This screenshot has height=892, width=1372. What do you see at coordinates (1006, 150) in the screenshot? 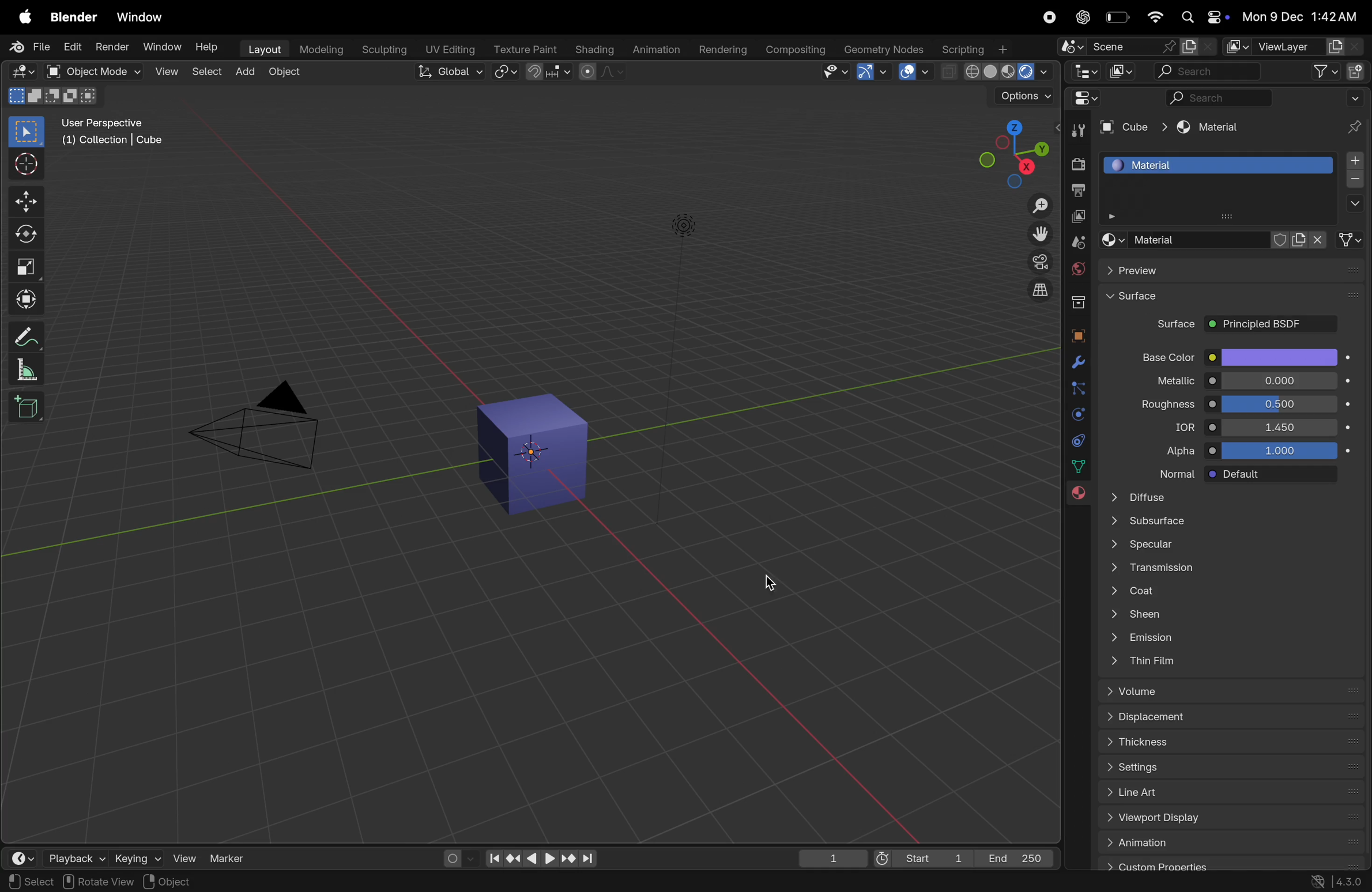
I see `view point` at bounding box center [1006, 150].